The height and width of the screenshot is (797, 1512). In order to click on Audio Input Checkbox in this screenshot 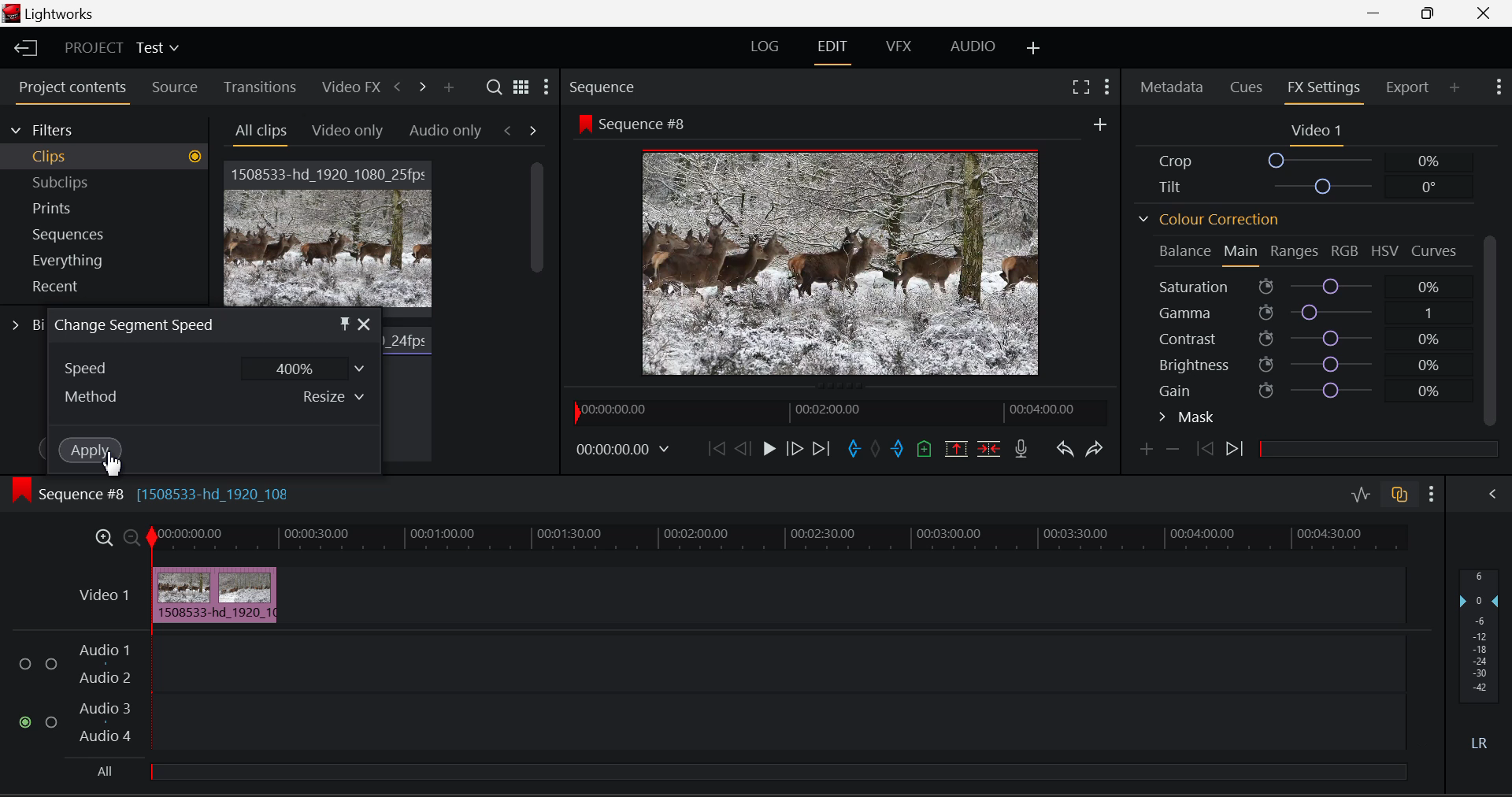, I will do `click(51, 723)`.